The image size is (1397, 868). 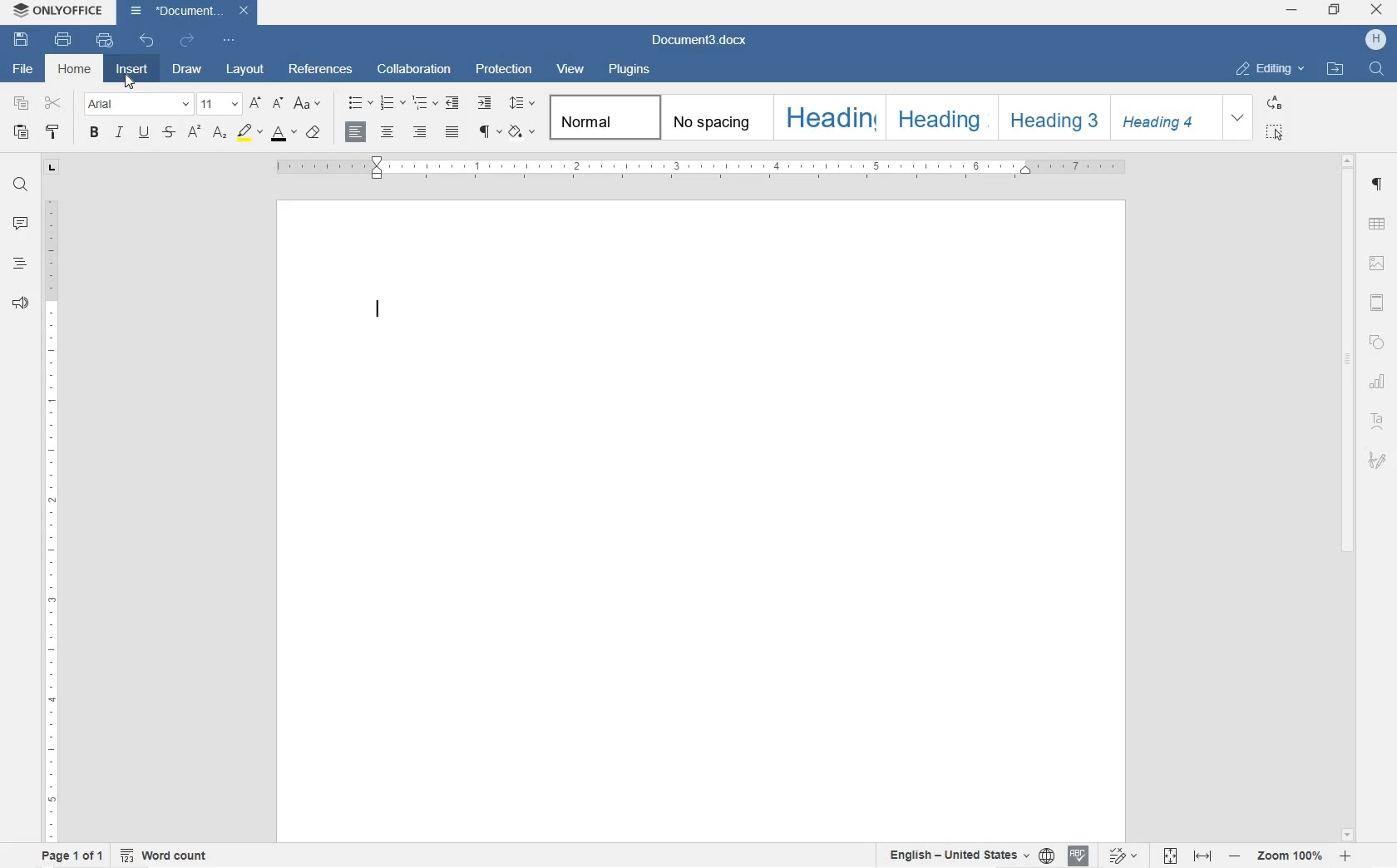 I want to click on FONT NAME, so click(x=139, y=104).